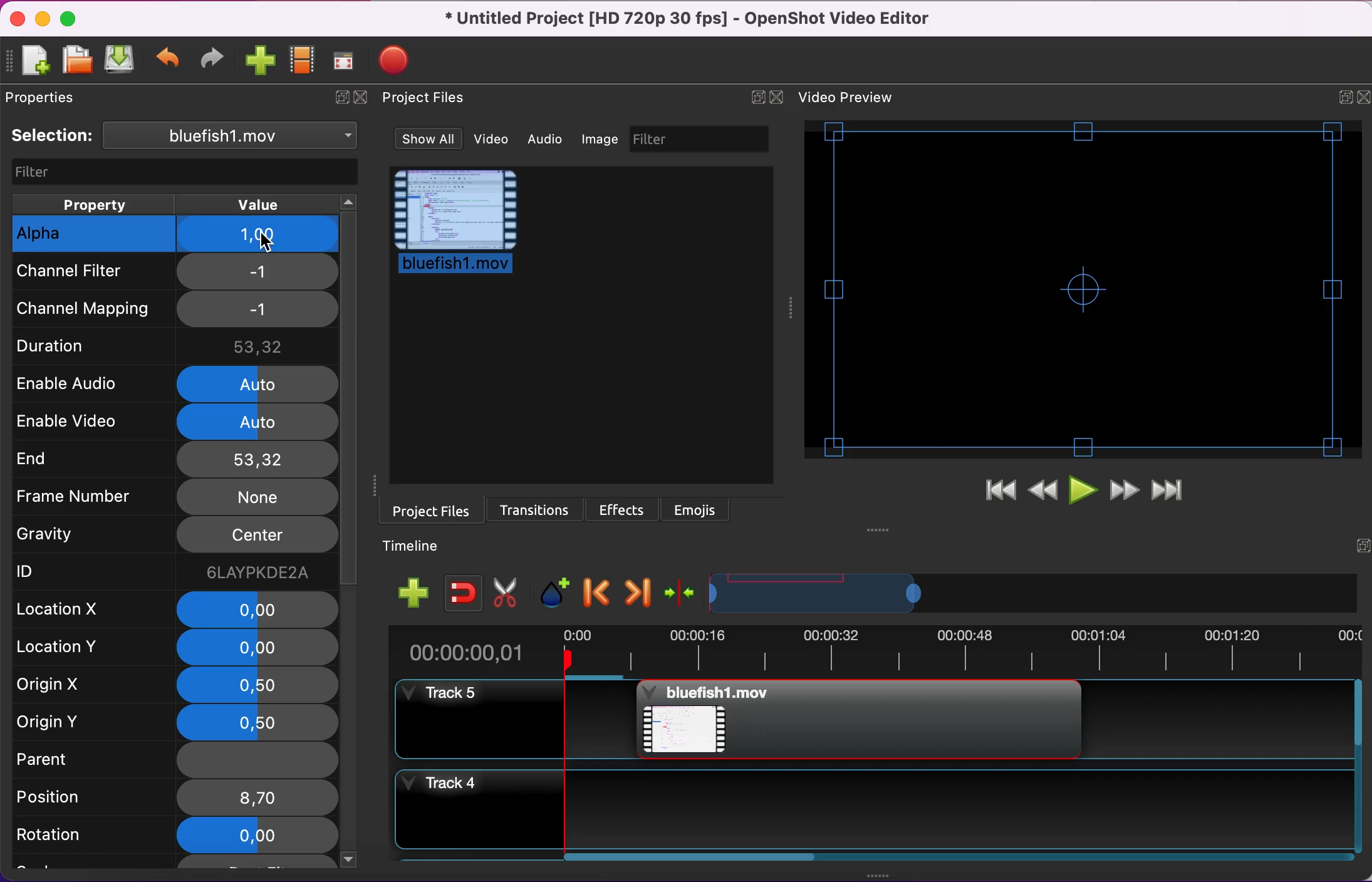  What do you see at coordinates (955, 857) in the screenshot?
I see `Horizontal slide bar` at bounding box center [955, 857].